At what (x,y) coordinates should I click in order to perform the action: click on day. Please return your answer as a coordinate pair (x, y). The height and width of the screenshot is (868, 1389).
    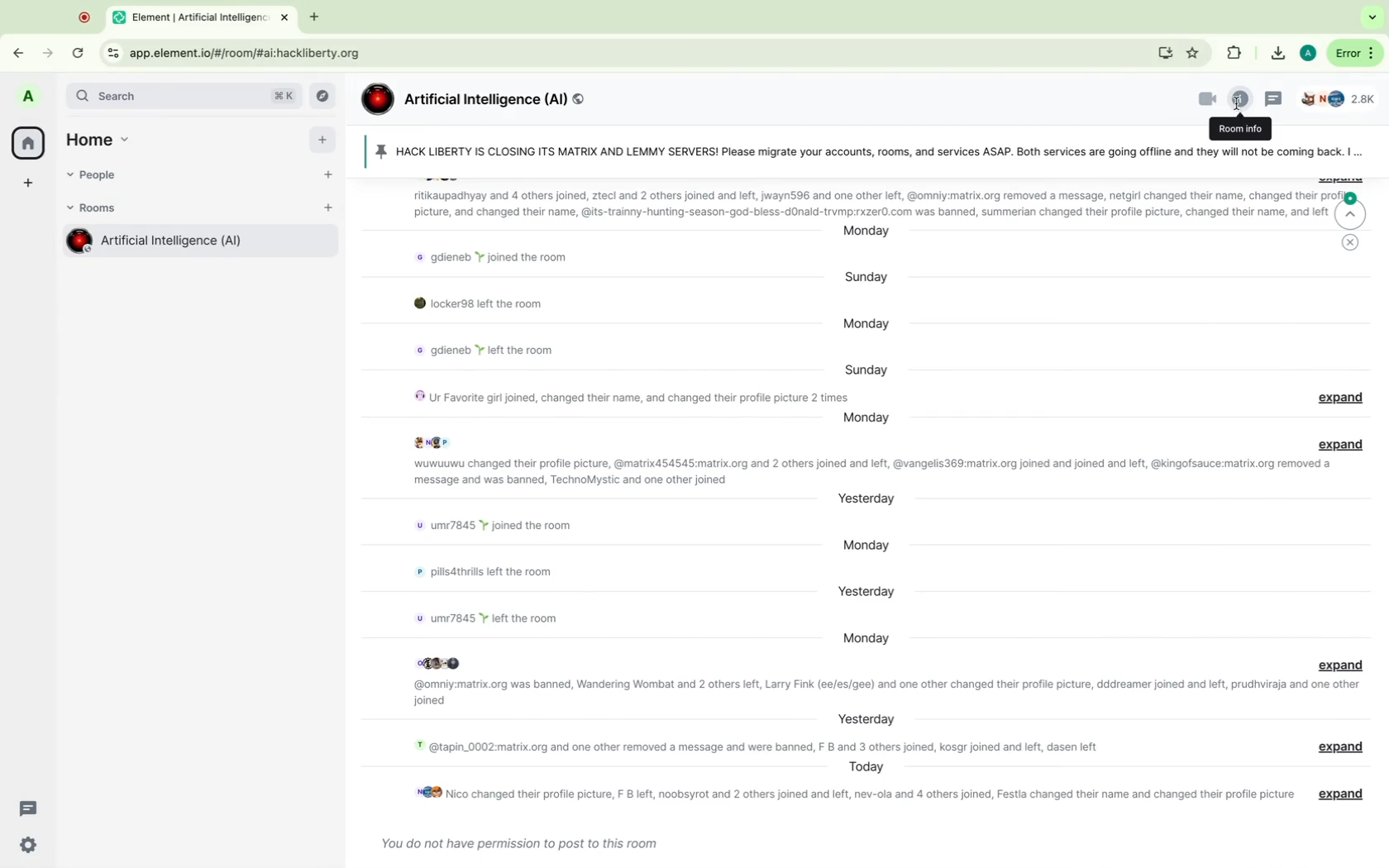
    Looking at the image, I should click on (866, 232).